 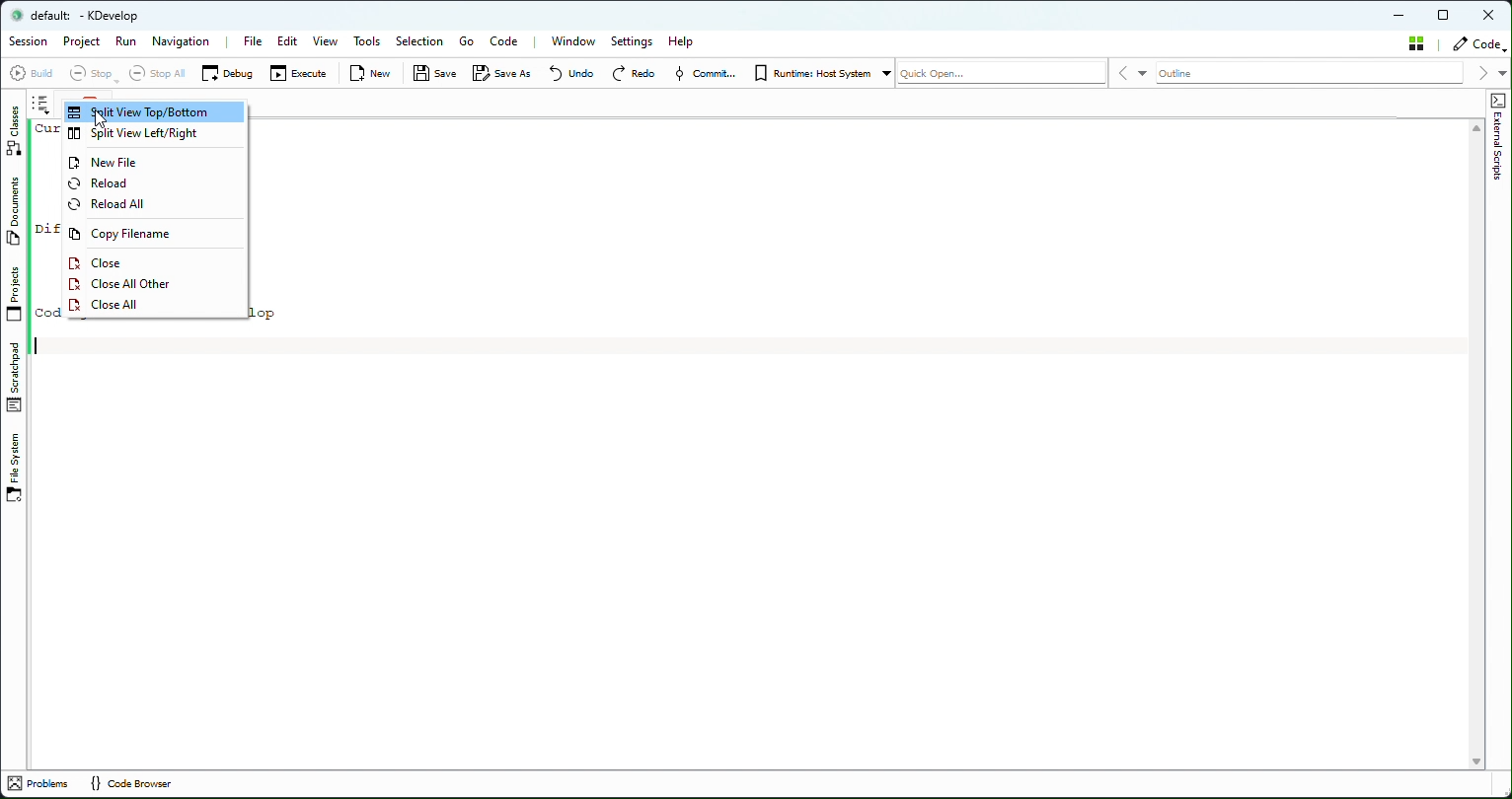 What do you see at coordinates (707, 74) in the screenshot?
I see `Commit` at bounding box center [707, 74].